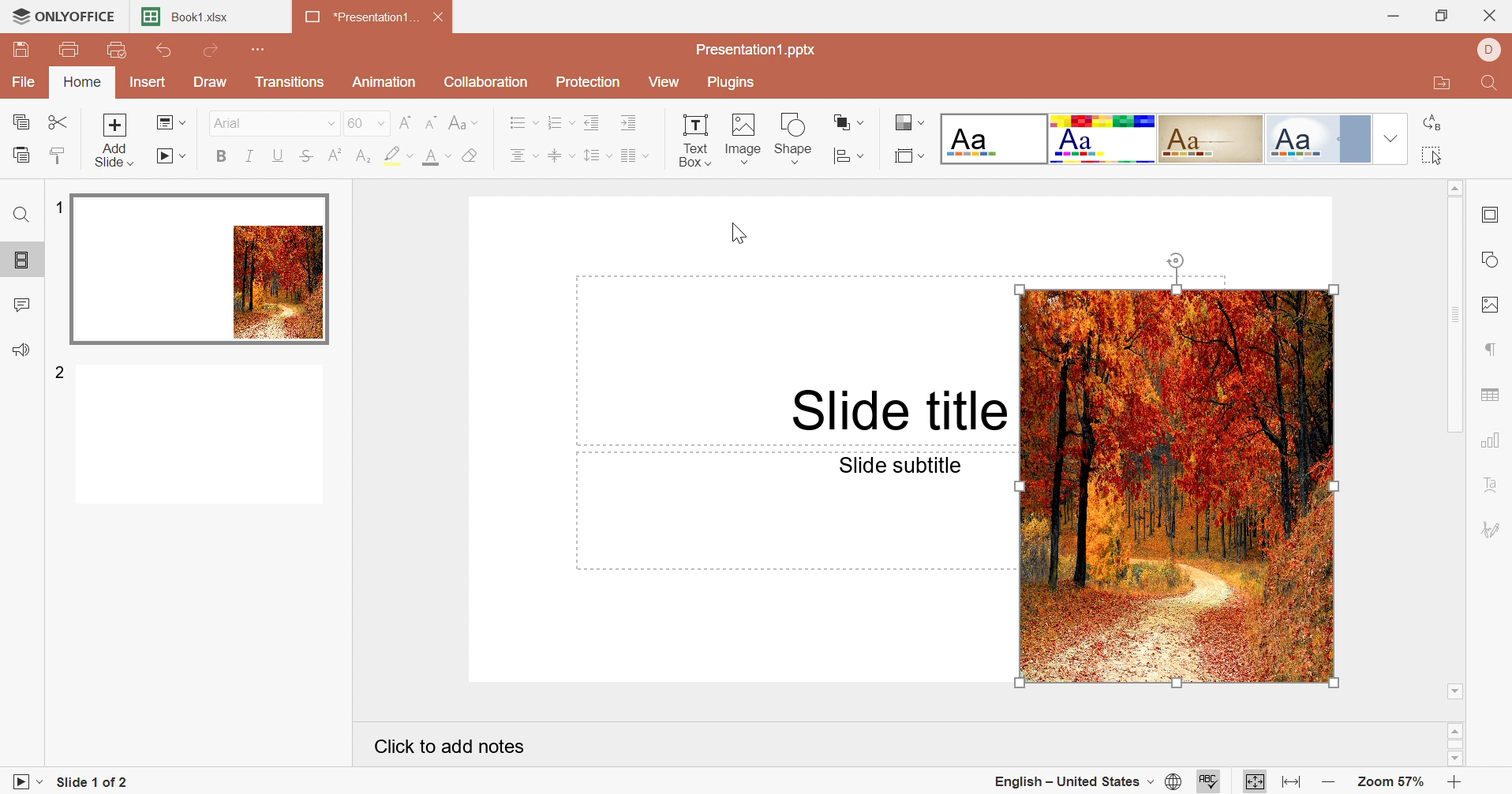 The image size is (1512, 794). I want to click on English - United States, so click(1072, 782).